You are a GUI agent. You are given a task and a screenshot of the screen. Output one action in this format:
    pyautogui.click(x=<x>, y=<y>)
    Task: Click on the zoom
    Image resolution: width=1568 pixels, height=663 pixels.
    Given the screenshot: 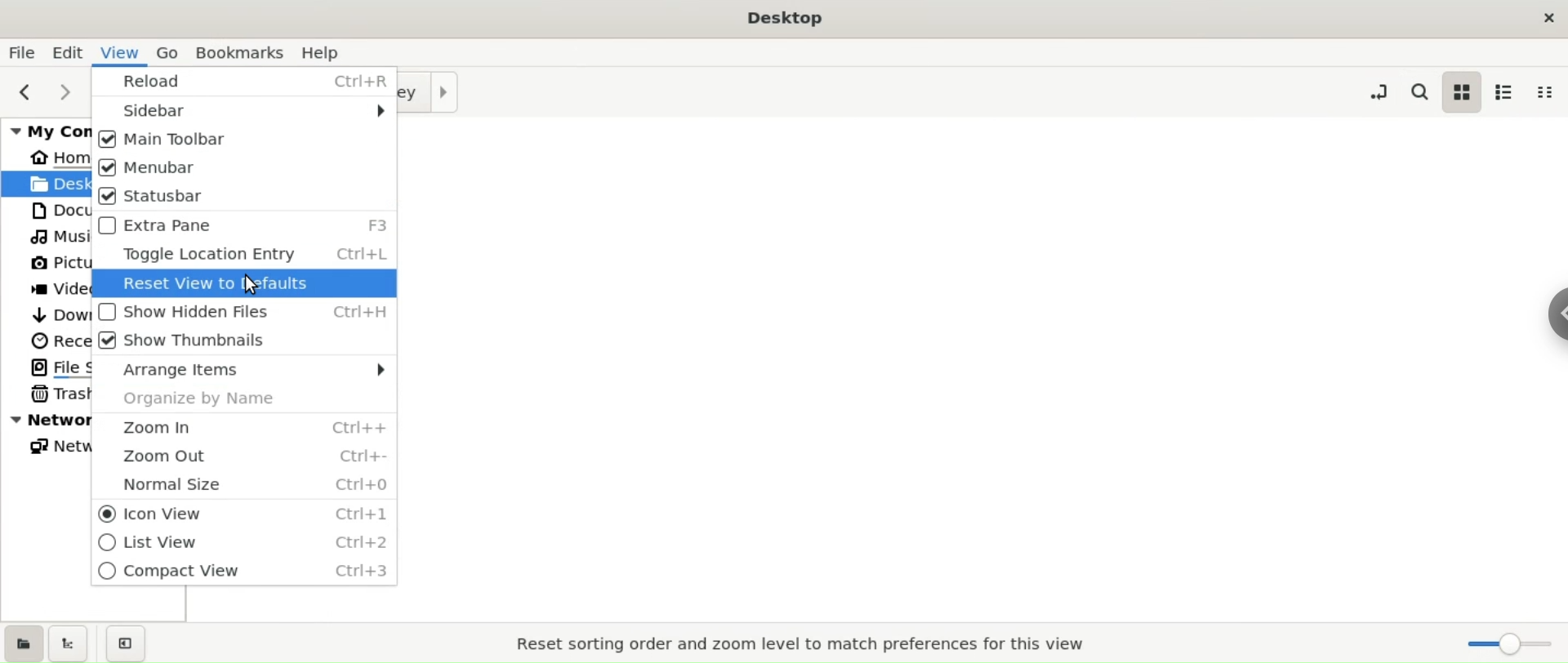 What is the action you would take?
    pyautogui.click(x=1510, y=647)
    